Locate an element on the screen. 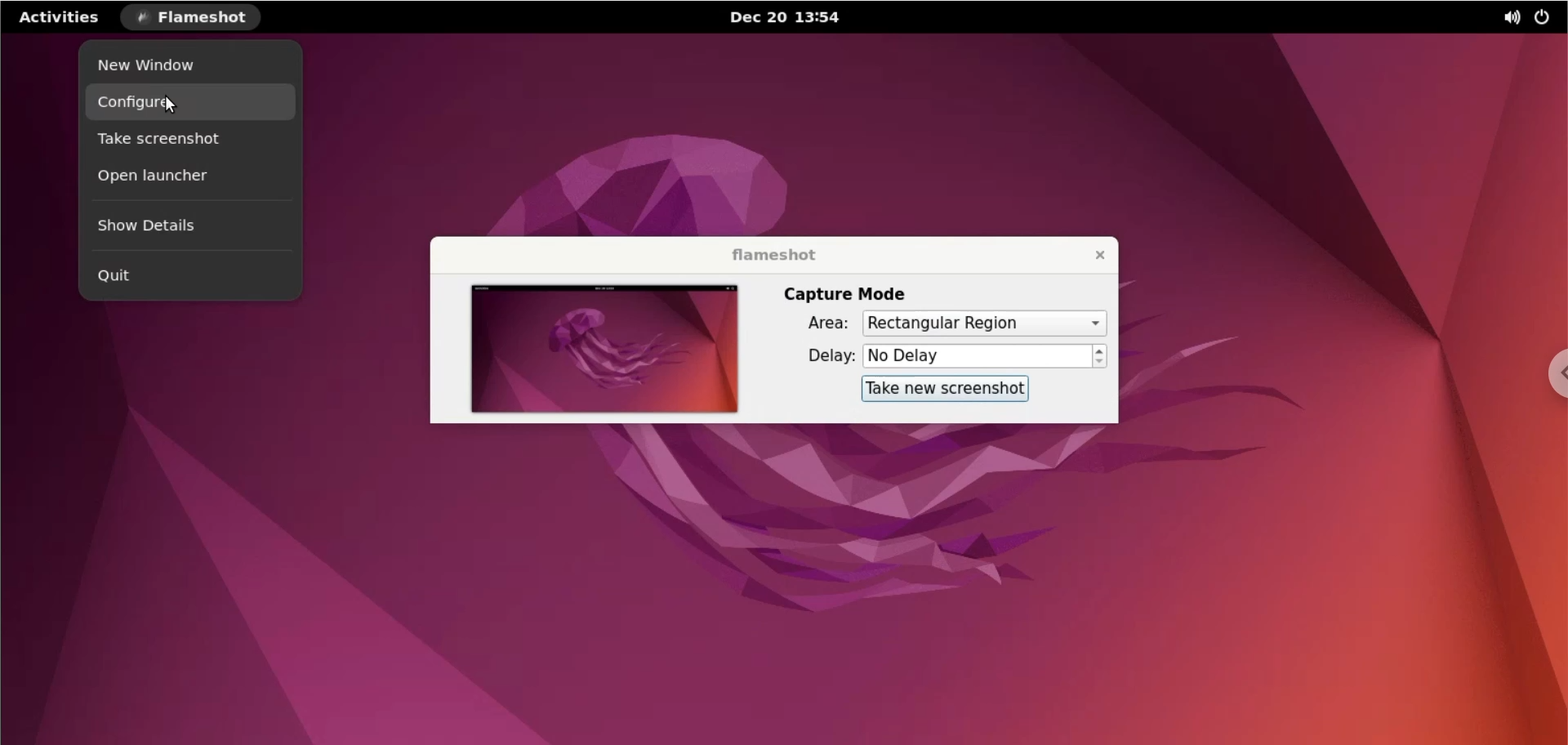  chrome options is located at coordinates (1553, 372).